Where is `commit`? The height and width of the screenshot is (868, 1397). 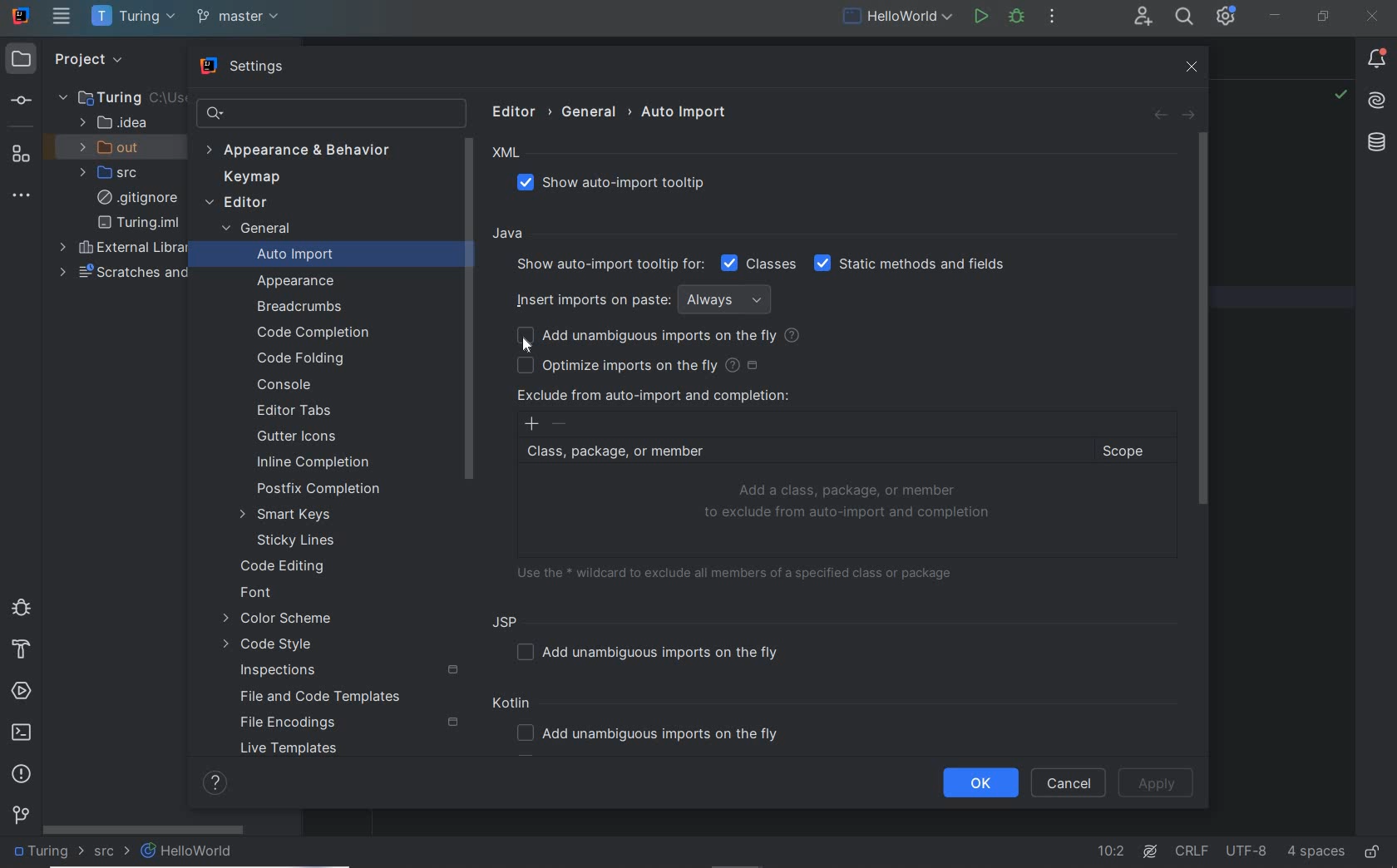 commit is located at coordinates (20, 102).